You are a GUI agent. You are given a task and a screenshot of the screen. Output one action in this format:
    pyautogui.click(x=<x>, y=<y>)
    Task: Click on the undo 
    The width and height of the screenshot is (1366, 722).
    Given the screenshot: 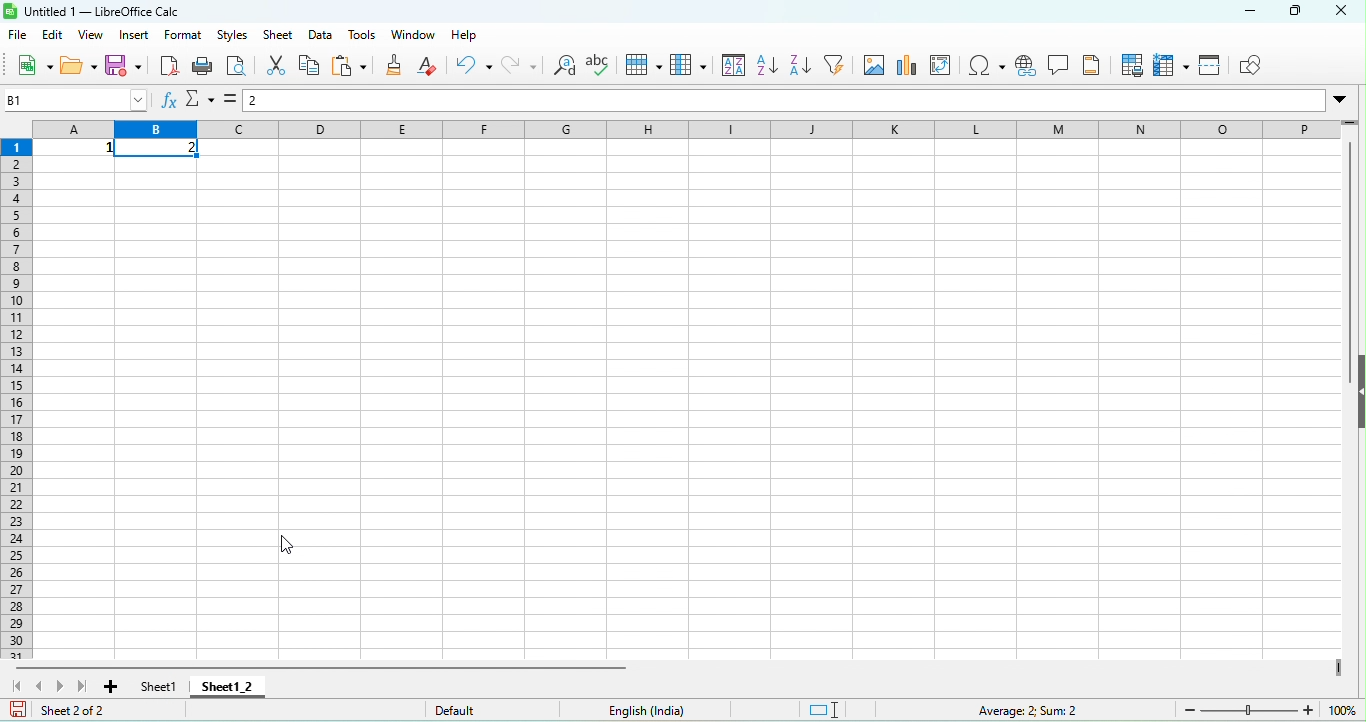 What is the action you would take?
    pyautogui.click(x=473, y=67)
    